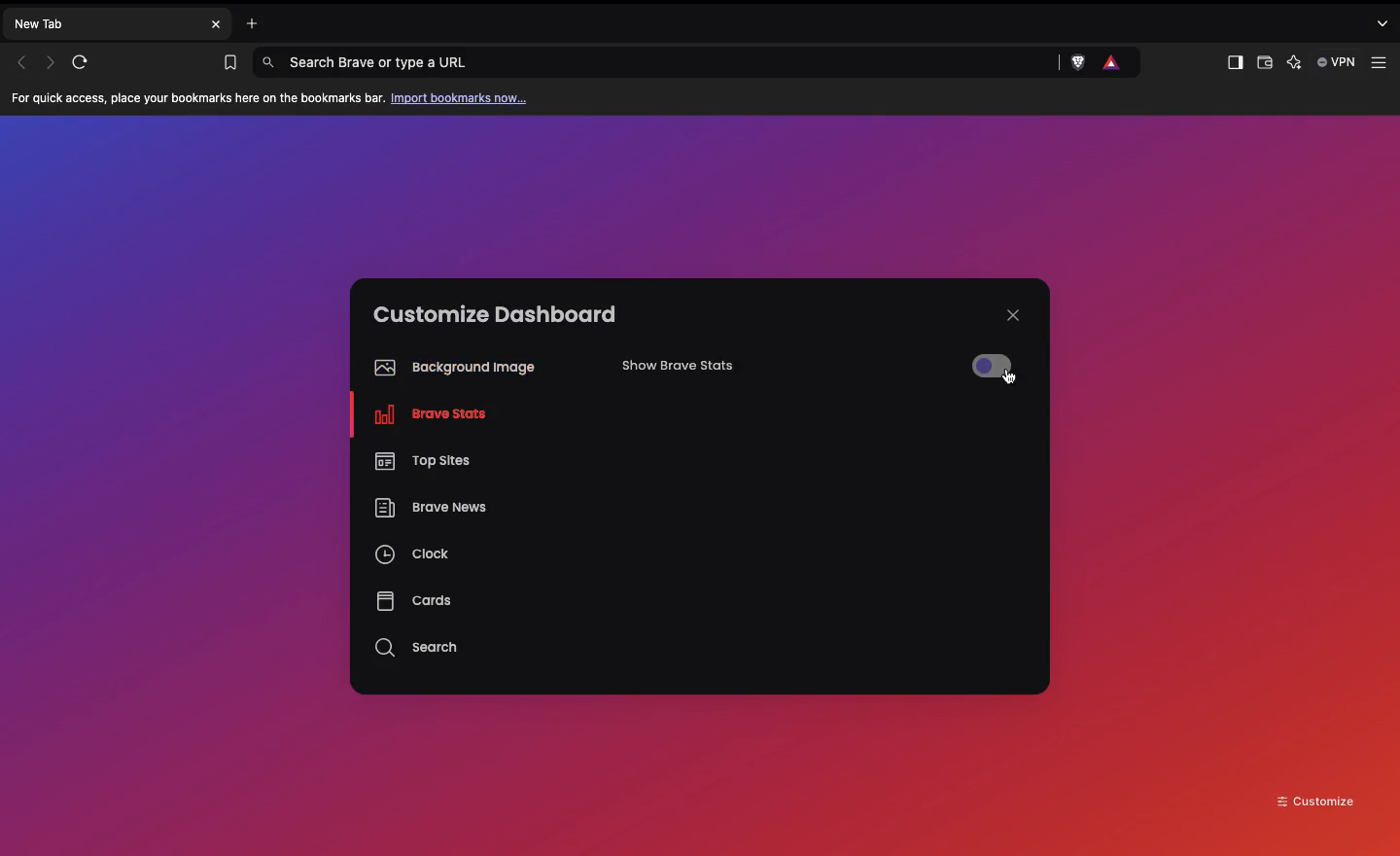 The image size is (1400, 856). Describe the element at coordinates (425, 418) in the screenshot. I see `Brave stats` at that location.